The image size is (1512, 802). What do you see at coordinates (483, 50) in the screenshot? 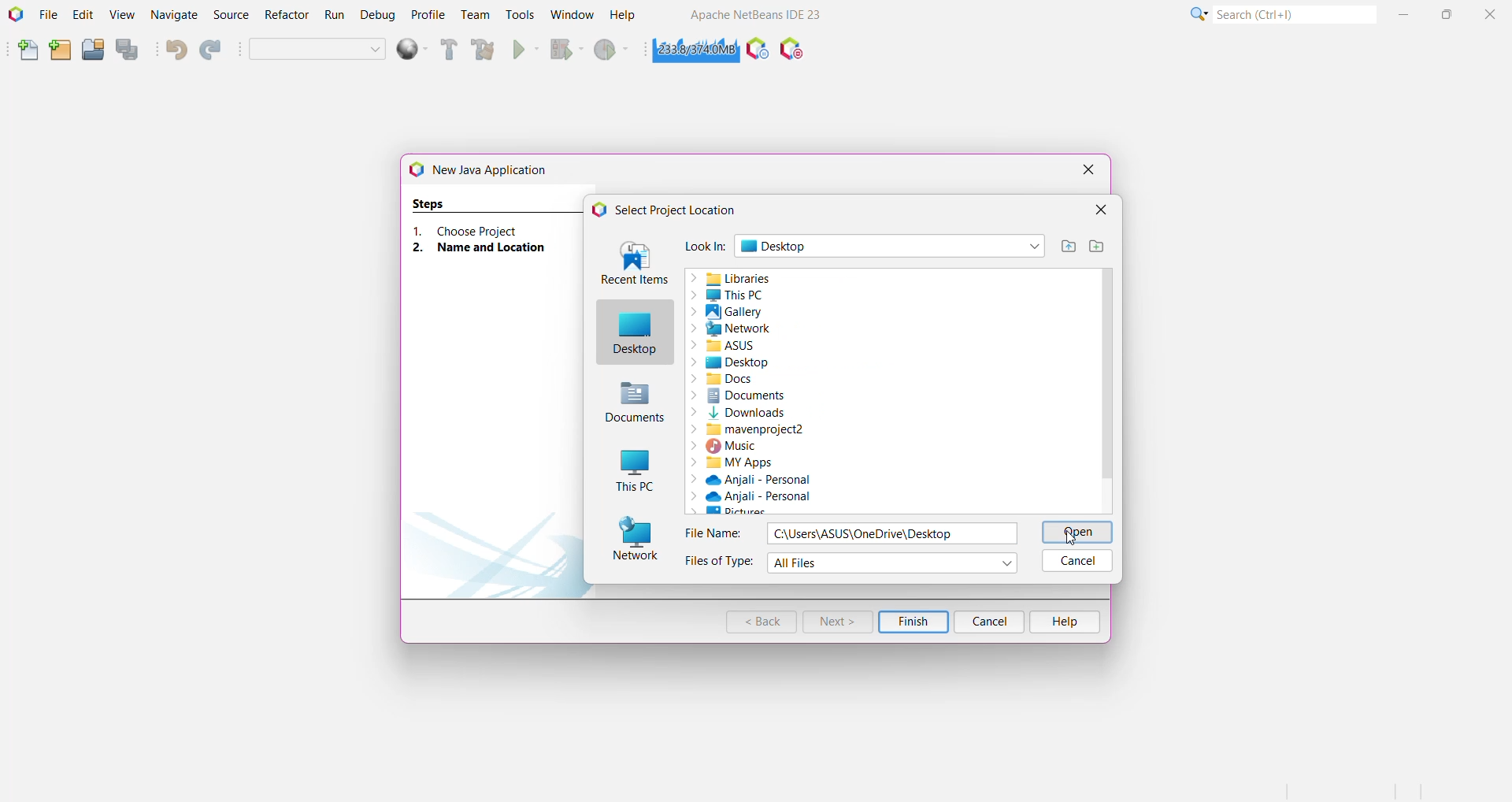
I see `Clean and Build Project` at bounding box center [483, 50].